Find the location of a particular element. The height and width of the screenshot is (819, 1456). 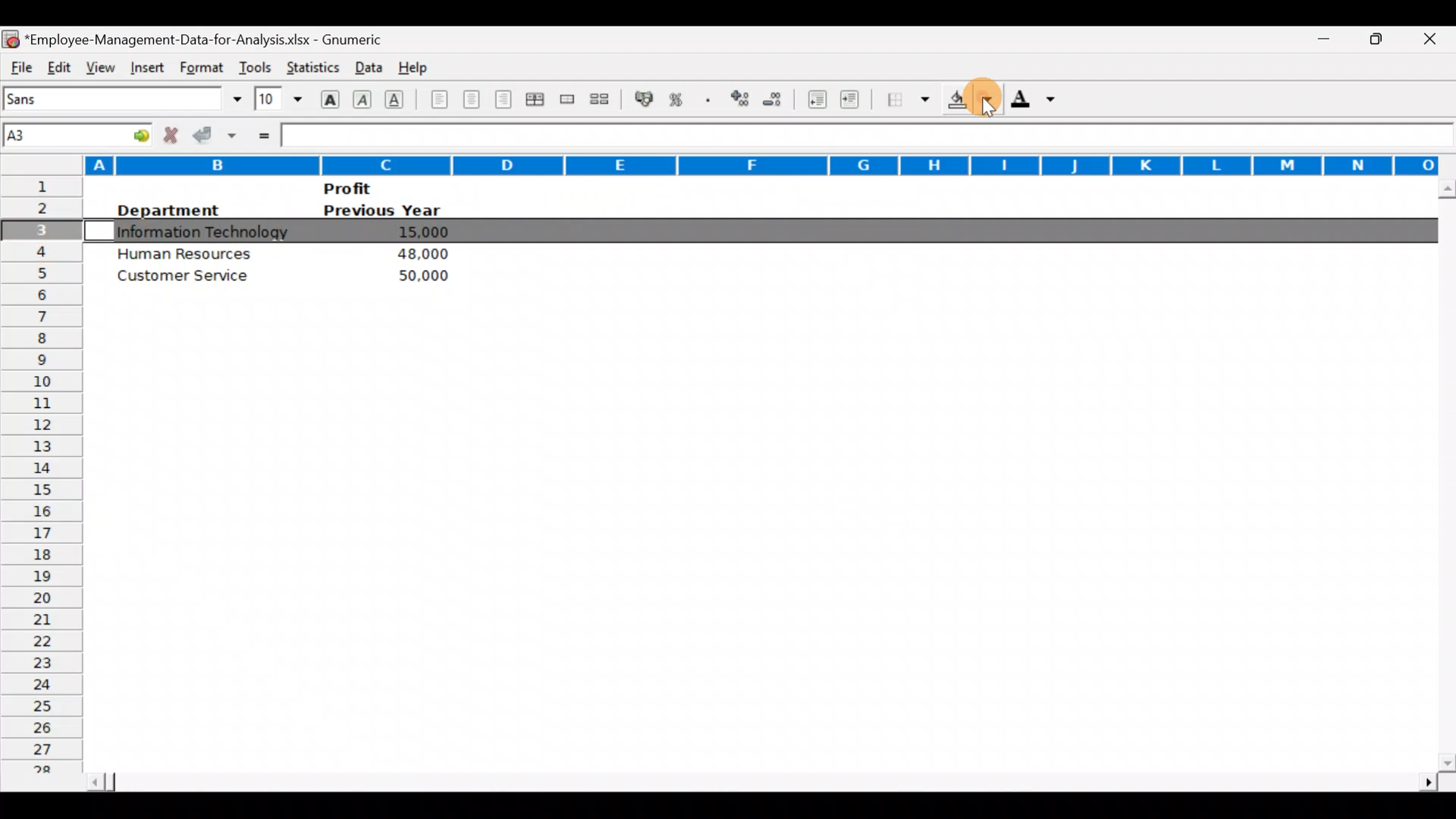

Foreground is located at coordinates (1038, 104).